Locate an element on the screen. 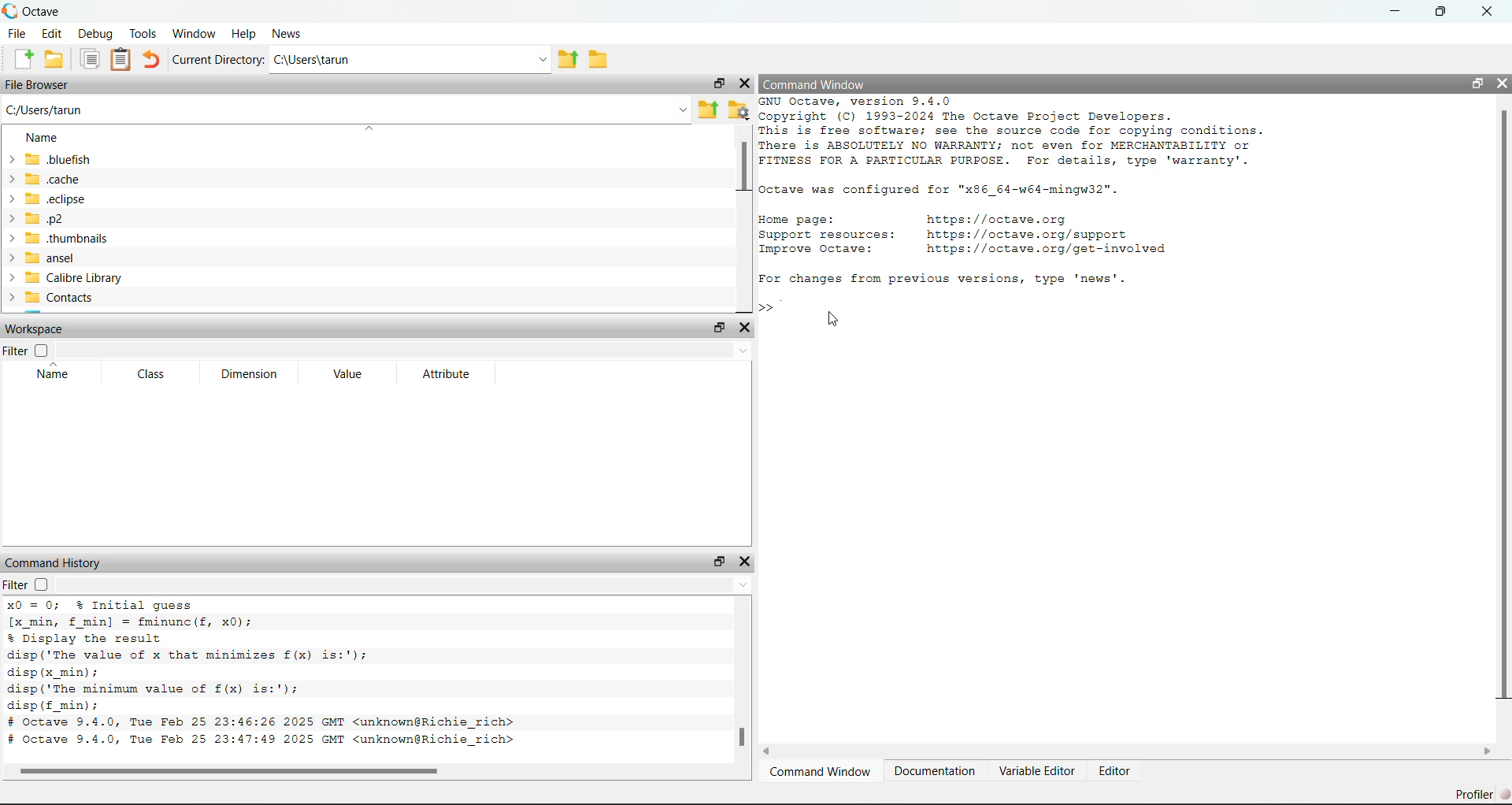 The image size is (1512, 805). Close is located at coordinates (747, 82).